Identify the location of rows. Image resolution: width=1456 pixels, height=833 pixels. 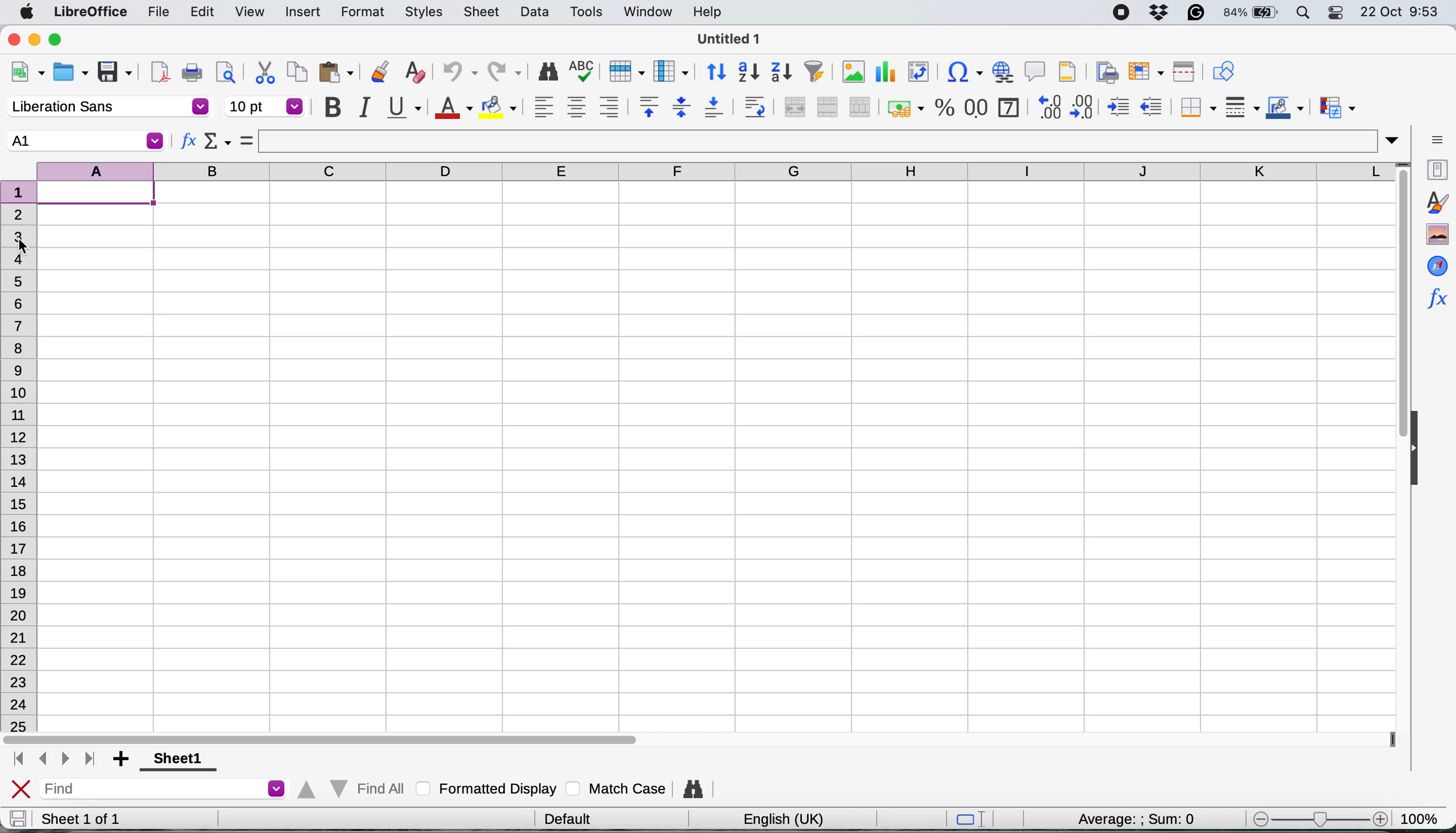
(22, 456).